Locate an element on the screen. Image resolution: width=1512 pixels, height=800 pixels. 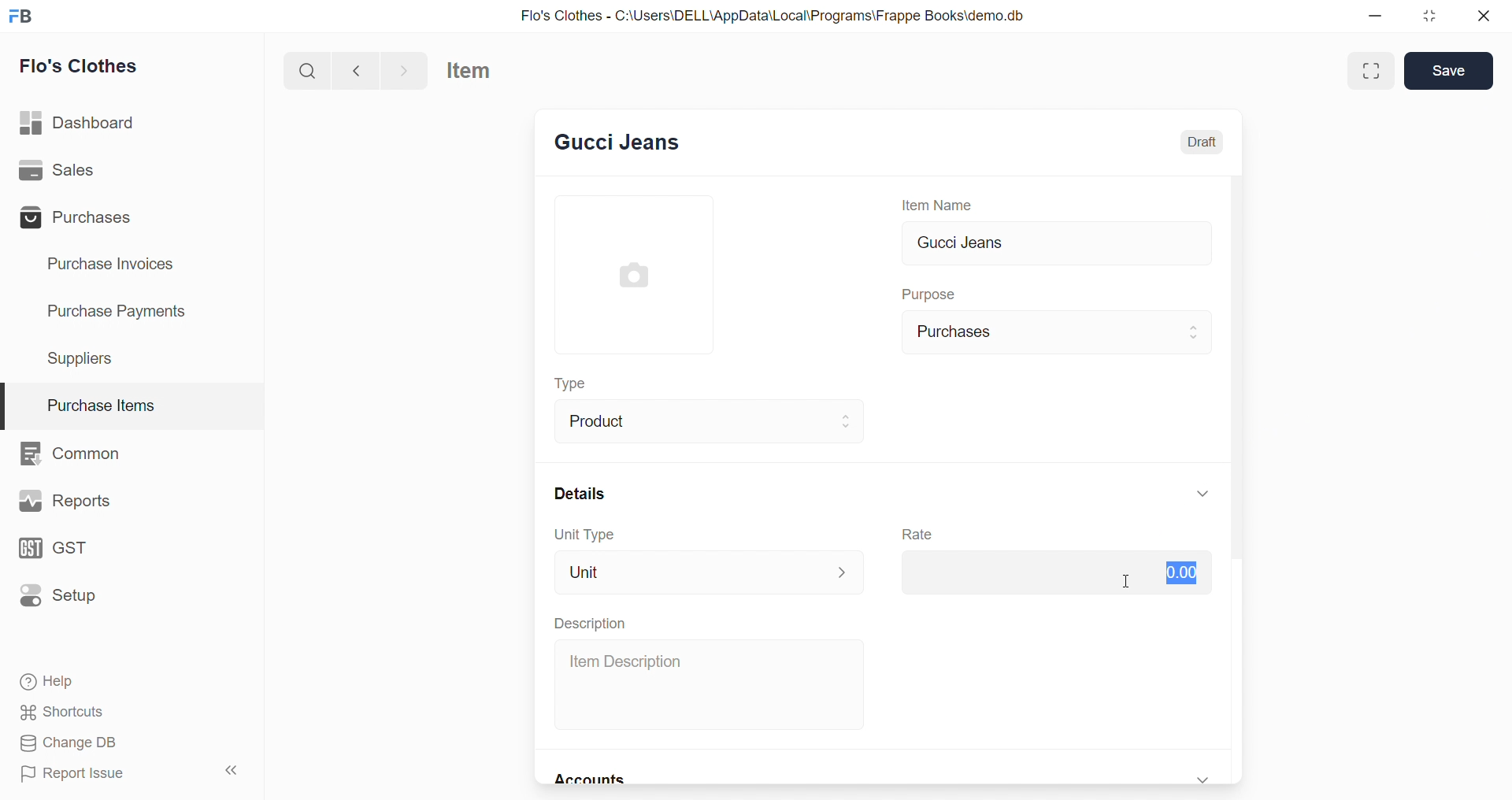
navigate forward is located at coordinates (406, 70).